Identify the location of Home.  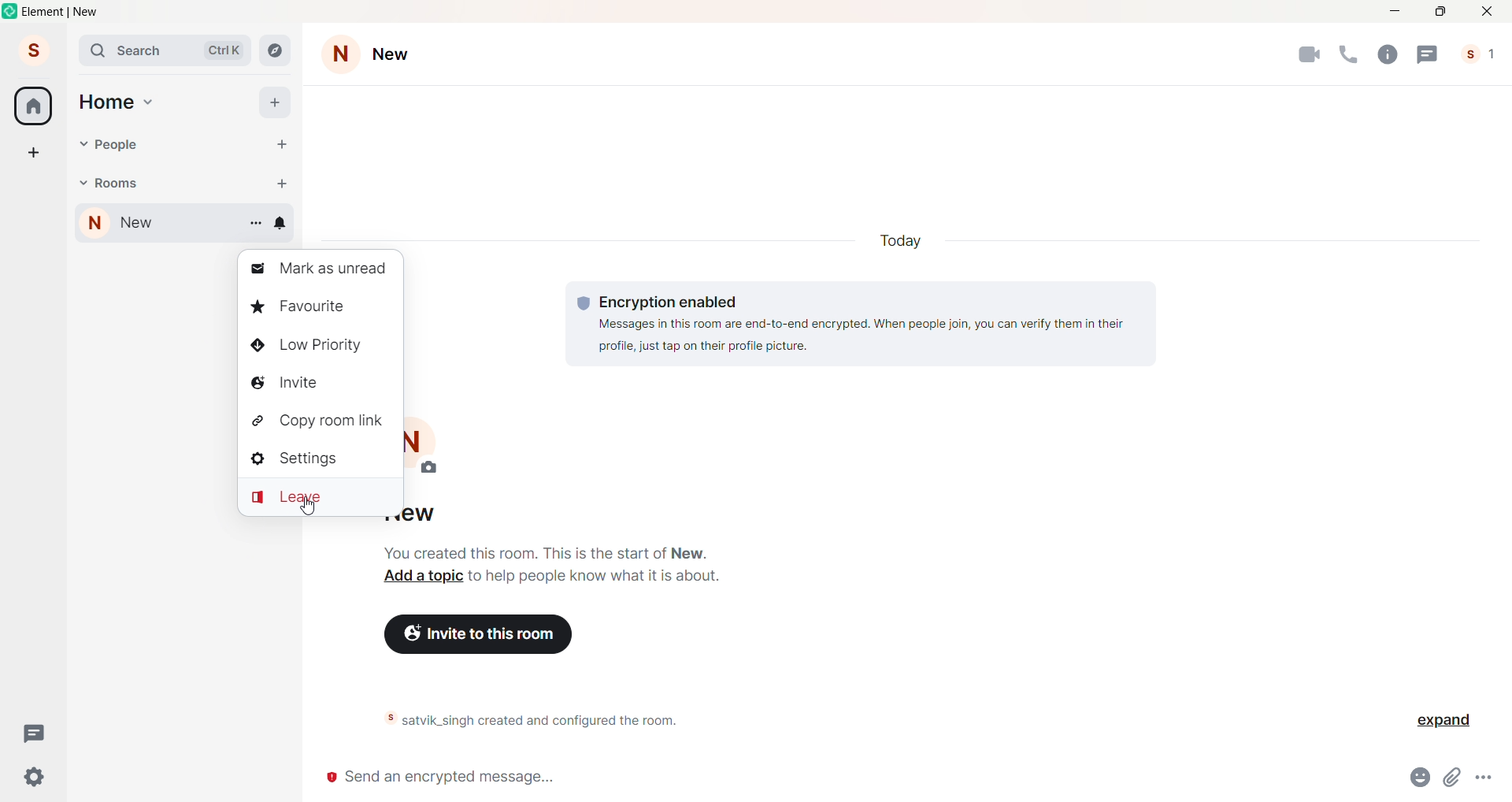
(34, 106).